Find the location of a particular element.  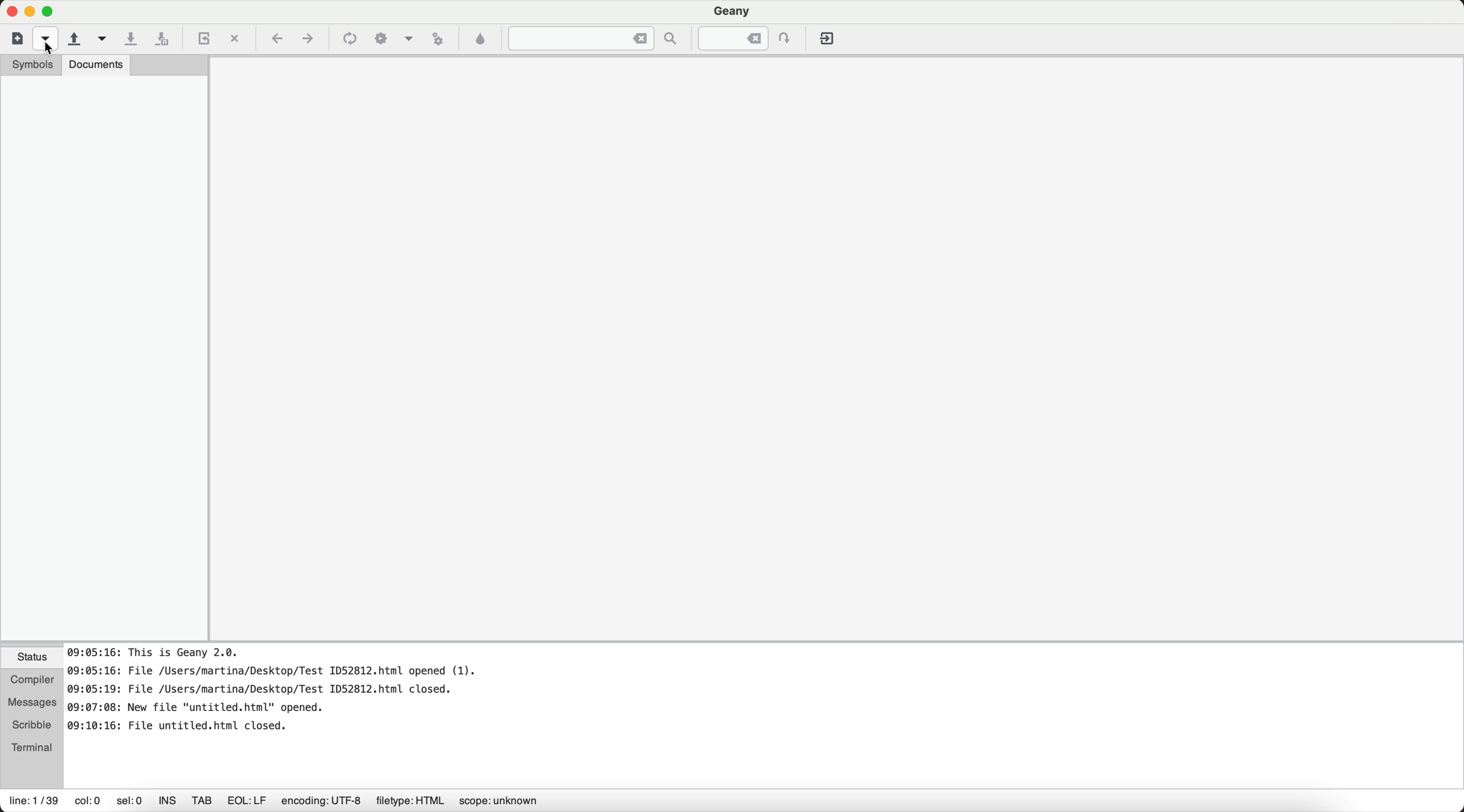

build the current file is located at coordinates (382, 40).